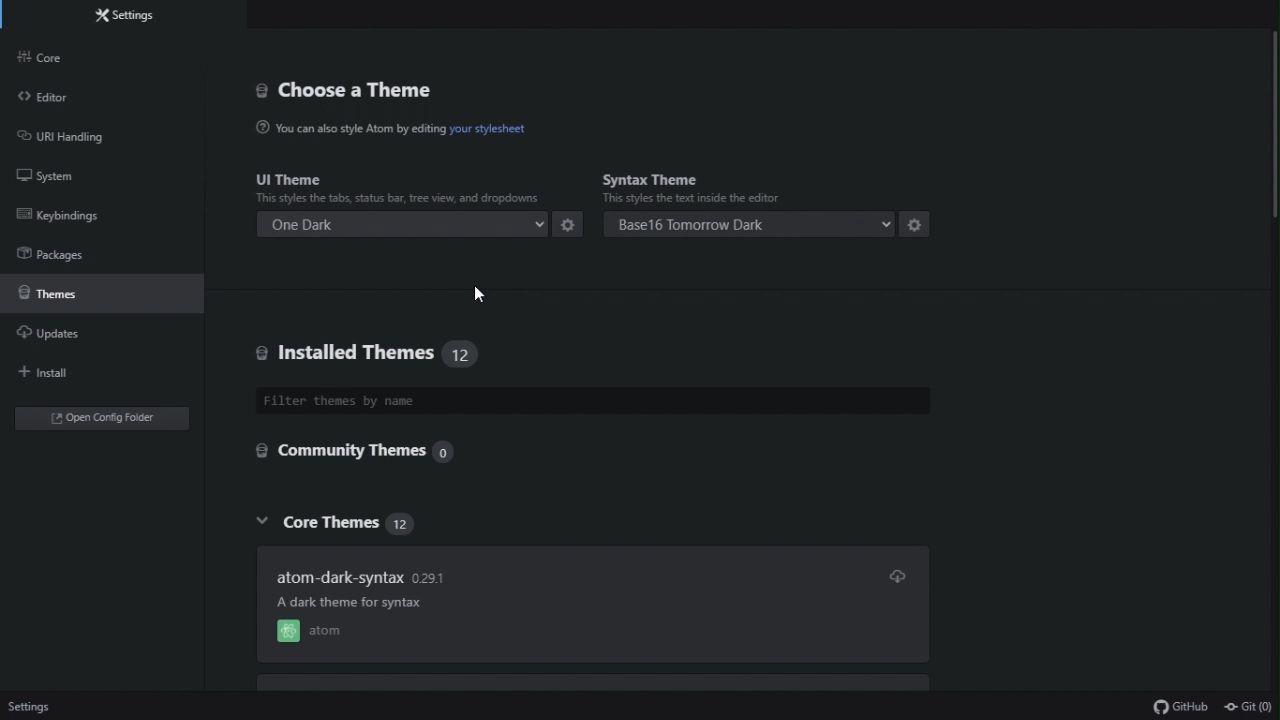 The height and width of the screenshot is (720, 1280). I want to click on UI theme- this styles the tabs status bar , tree view and dropdown, so click(401, 184).